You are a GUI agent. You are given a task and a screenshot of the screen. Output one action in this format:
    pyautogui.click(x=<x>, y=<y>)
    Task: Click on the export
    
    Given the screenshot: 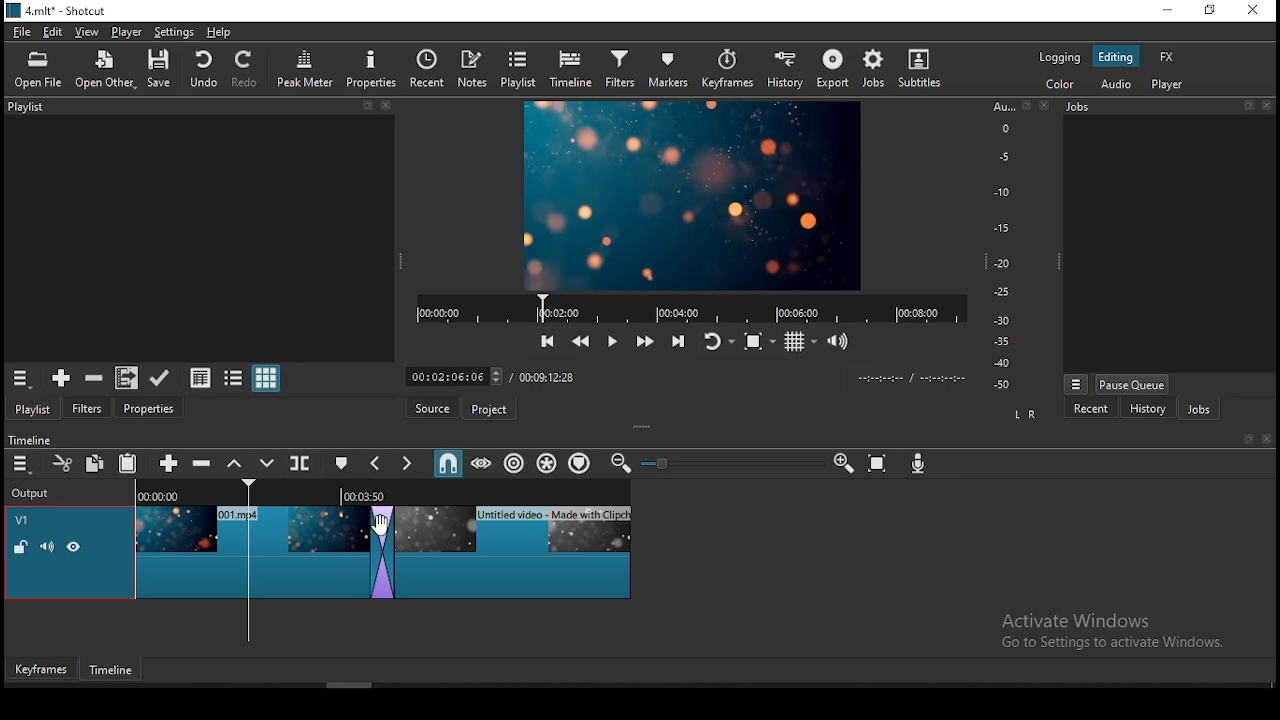 What is the action you would take?
    pyautogui.click(x=830, y=70)
    